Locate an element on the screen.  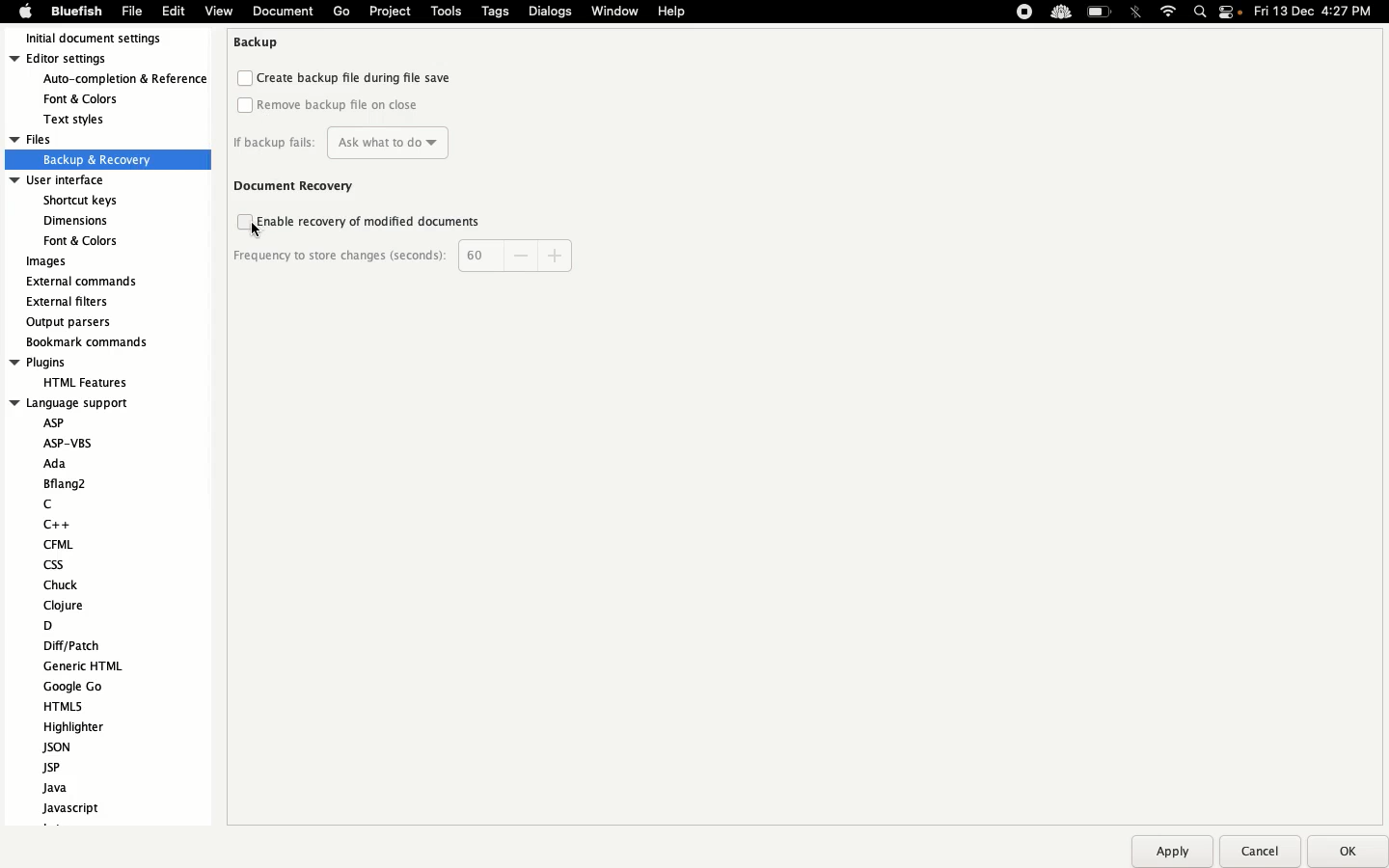
Backup is located at coordinates (260, 45).